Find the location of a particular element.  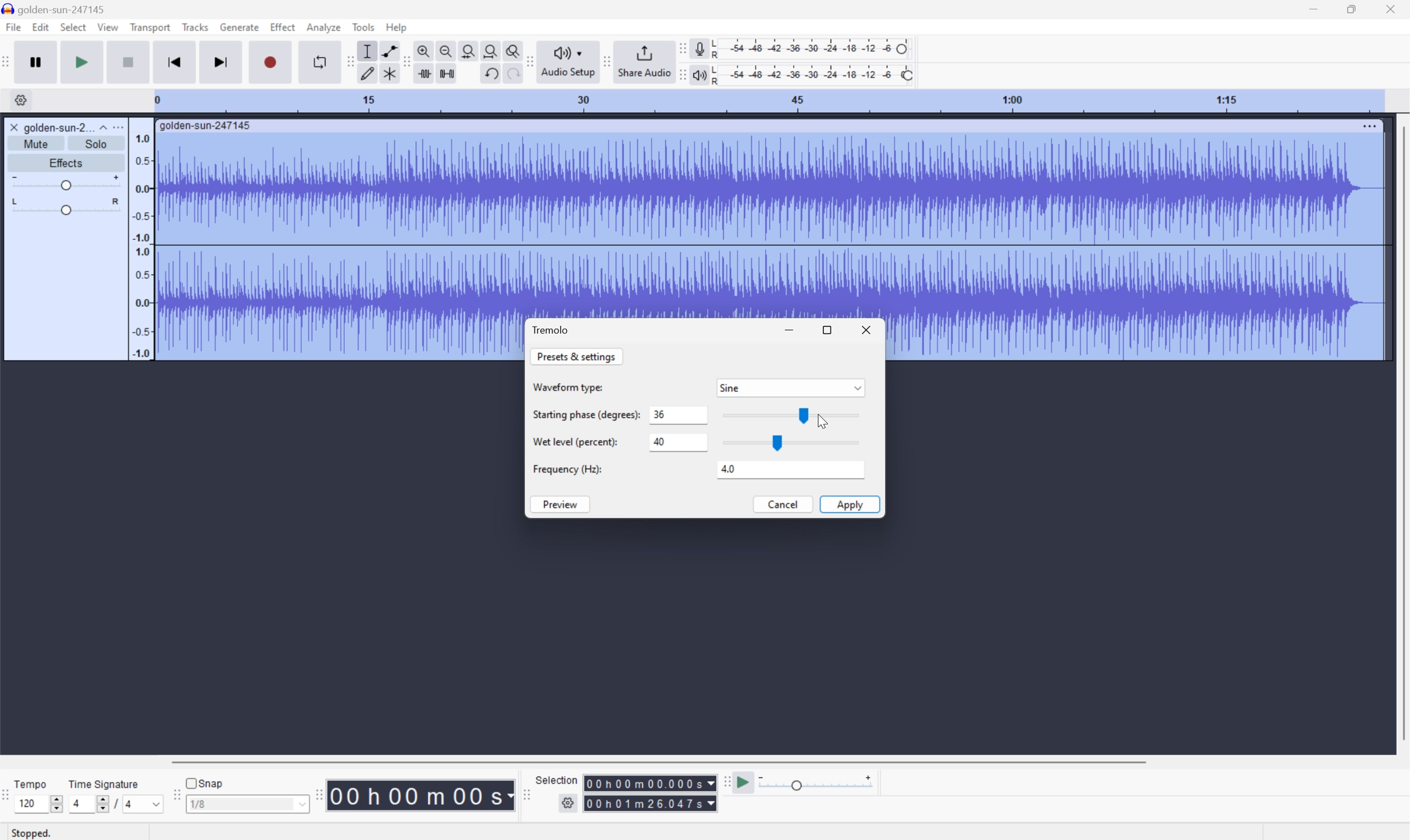

Drop Down is located at coordinates (856, 388).